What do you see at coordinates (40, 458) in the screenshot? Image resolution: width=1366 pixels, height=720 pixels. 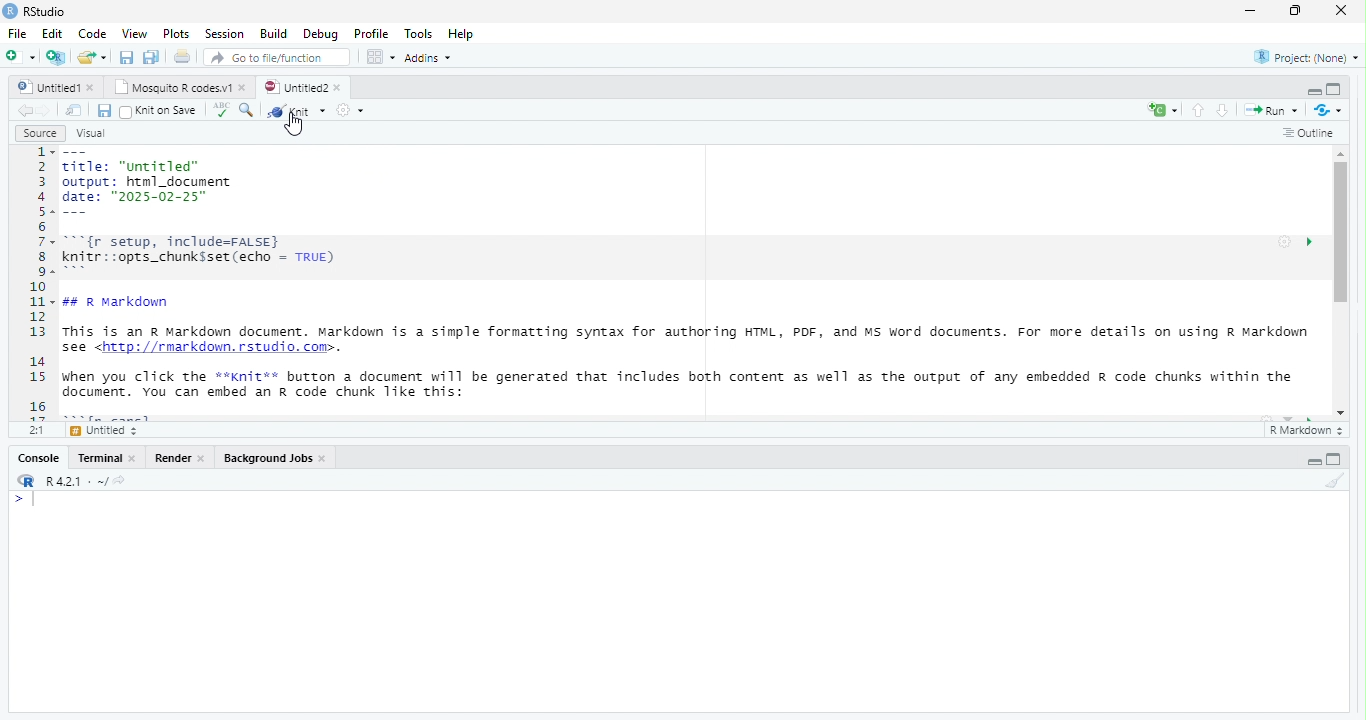 I see `Console` at bounding box center [40, 458].